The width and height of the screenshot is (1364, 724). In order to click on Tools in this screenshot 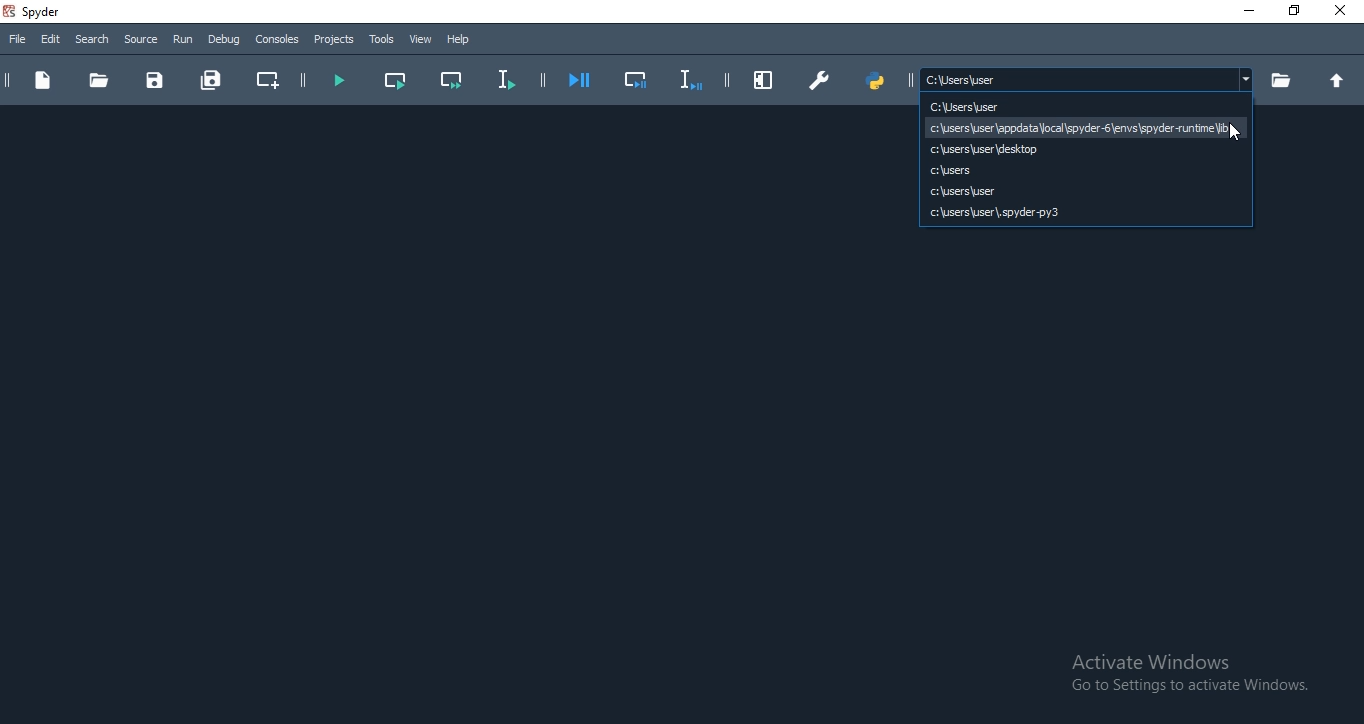, I will do `click(383, 40)`.